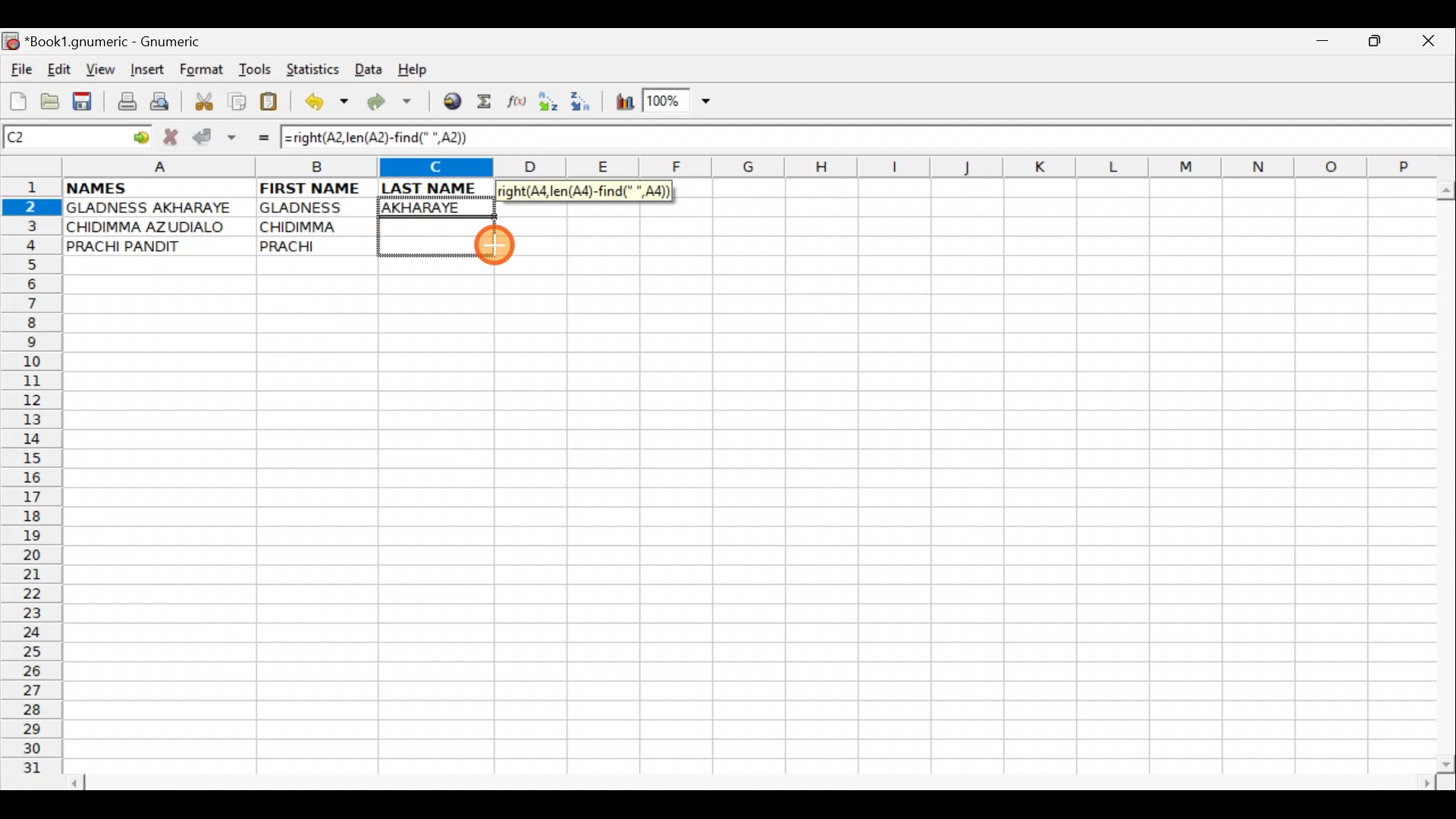 Image resolution: width=1456 pixels, height=819 pixels. Describe the element at coordinates (519, 105) in the screenshot. I see `Edit function in the current cell` at that location.